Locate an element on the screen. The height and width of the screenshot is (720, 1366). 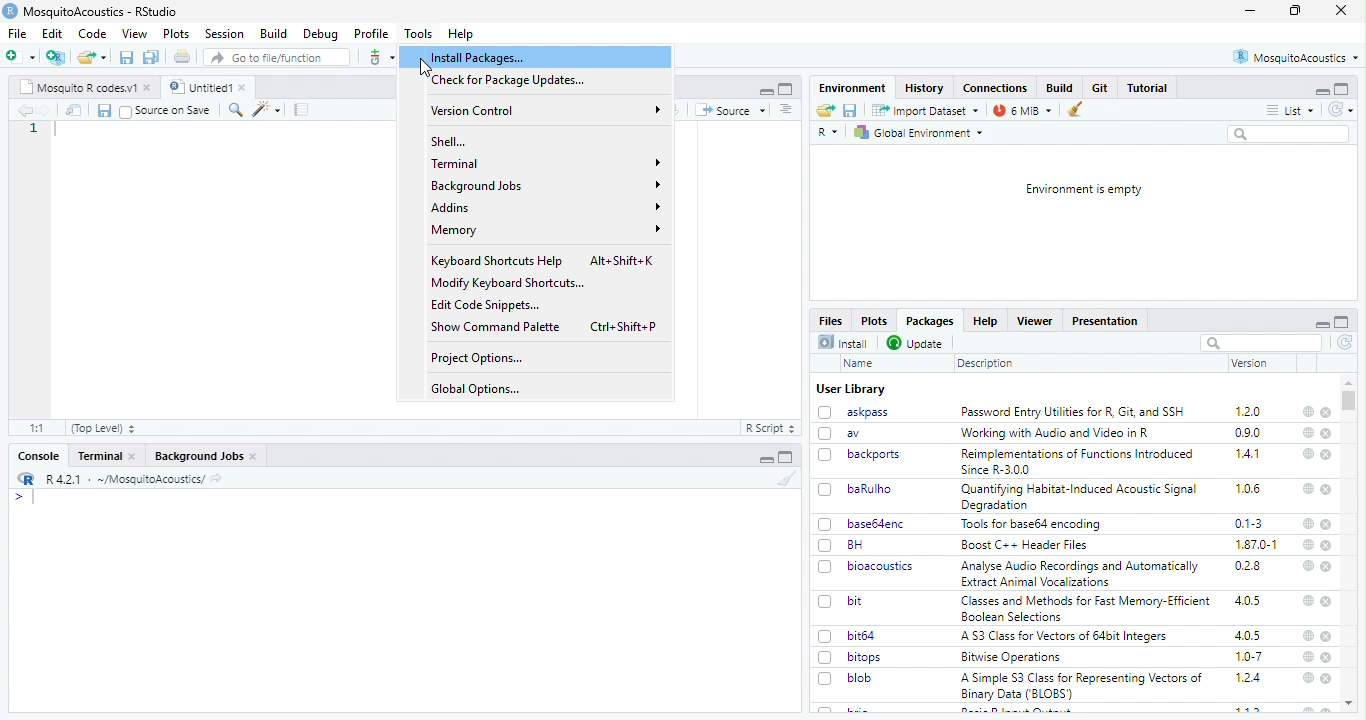
typing indicator is located at coordinates (34, 498).